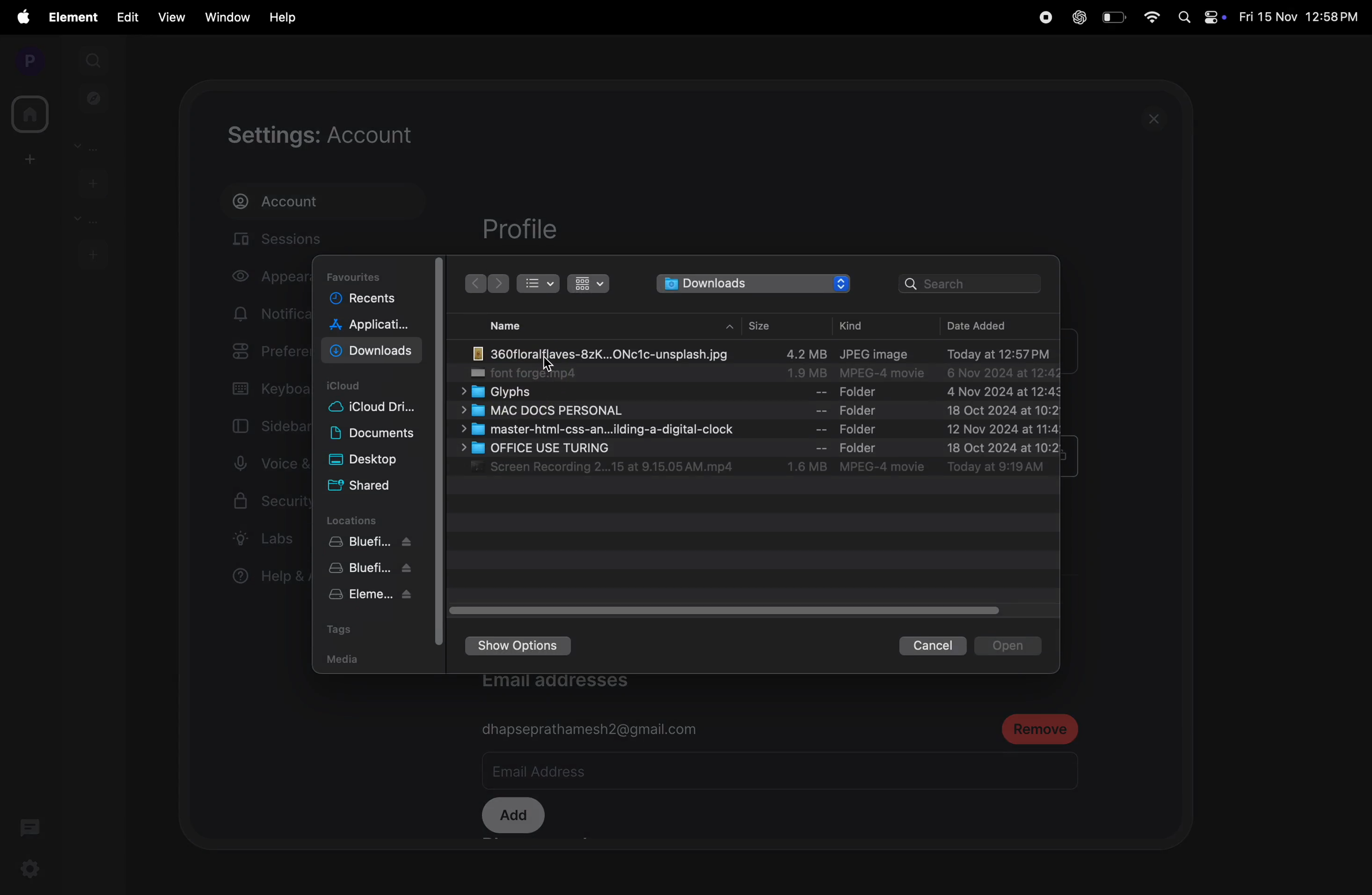 This screenshot has height=895, width=1372. Describe the element at coordinates (1201, 16) in the screenshot. I see `apple widgets` at that location.